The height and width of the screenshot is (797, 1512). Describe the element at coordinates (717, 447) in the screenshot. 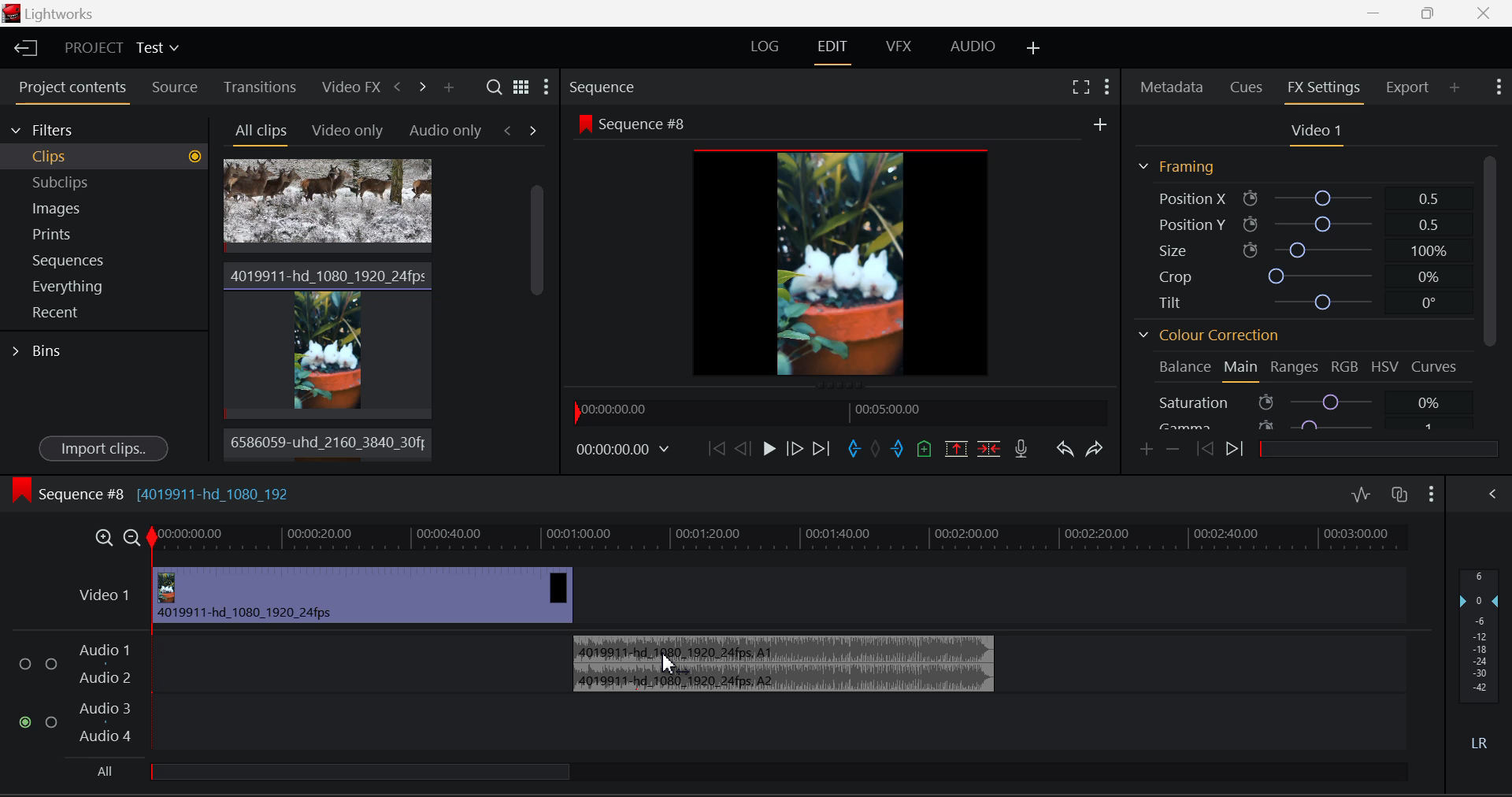

I see `To Start` at that location.